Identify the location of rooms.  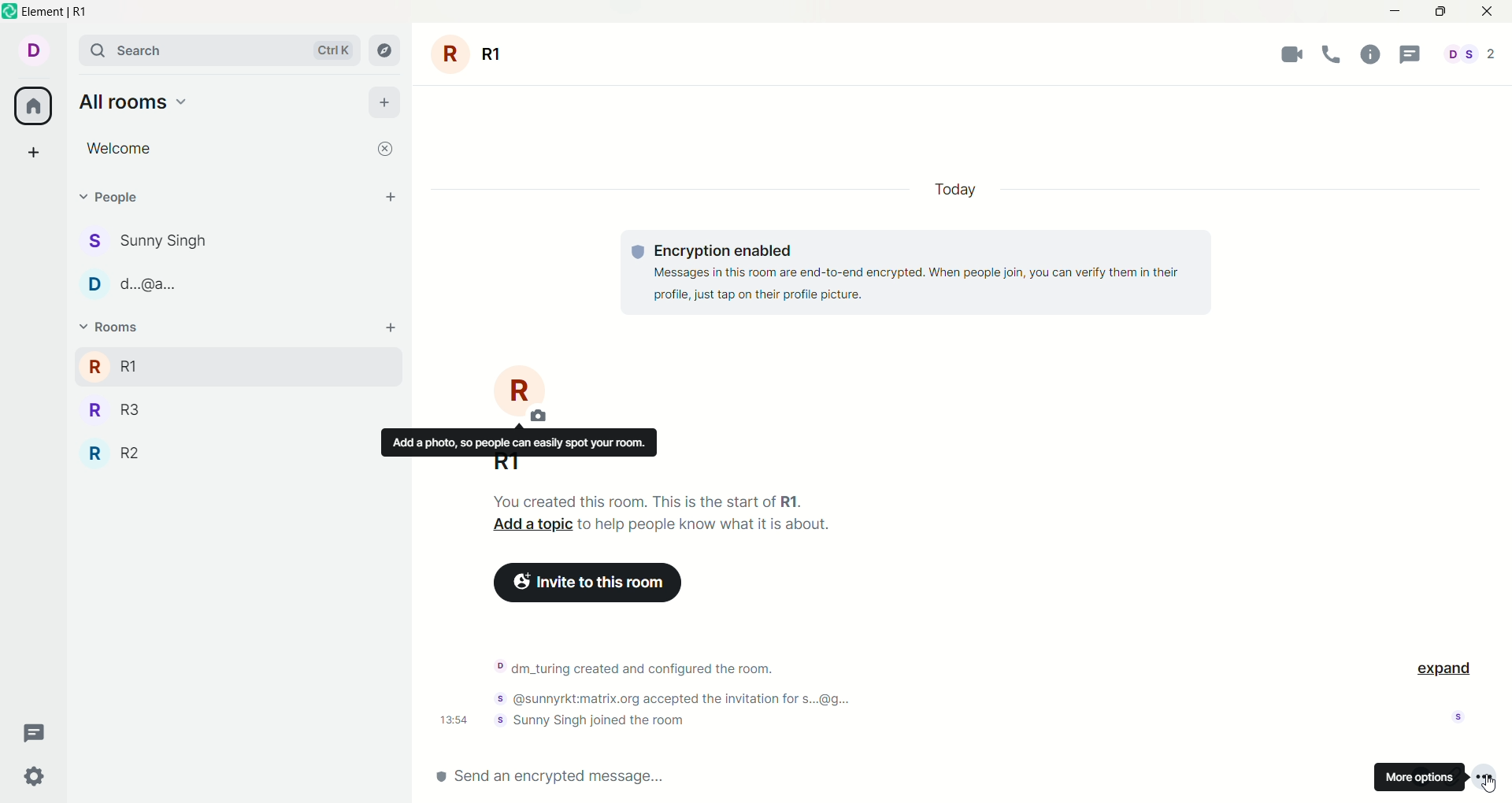
(114, 327).